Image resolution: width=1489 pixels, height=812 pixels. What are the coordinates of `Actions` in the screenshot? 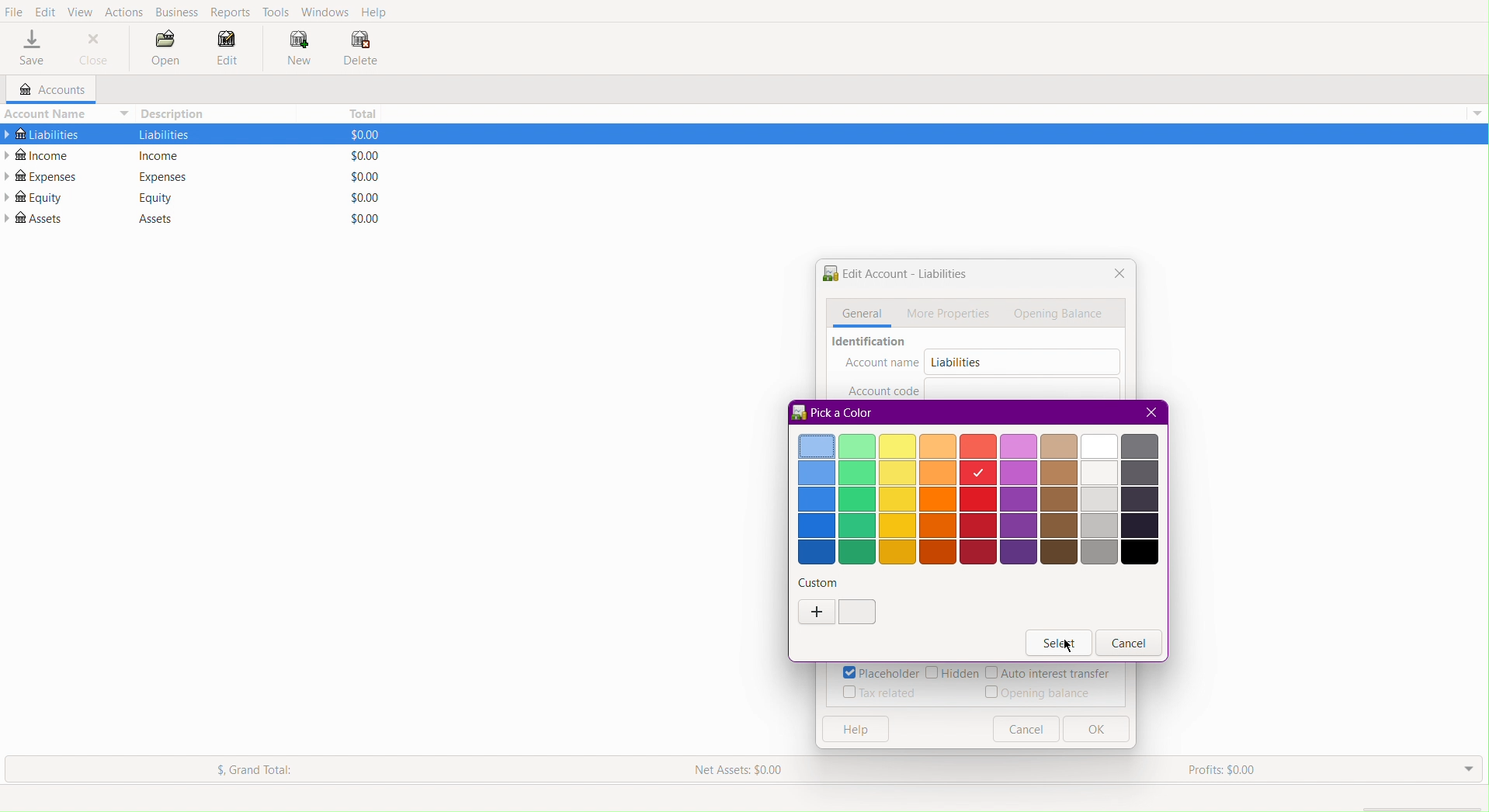 It's located at (124, 10).